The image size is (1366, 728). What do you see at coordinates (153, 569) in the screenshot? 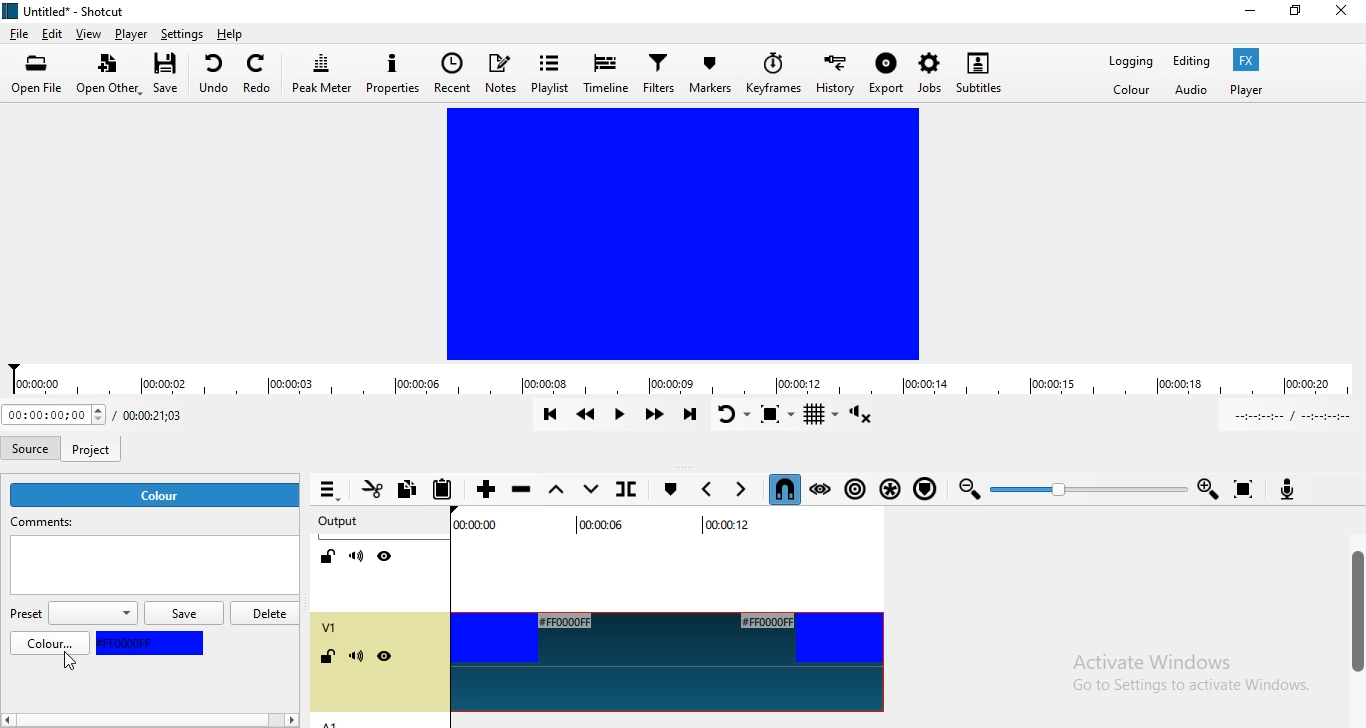
I see `empty box` at bounding box center [153, 569].